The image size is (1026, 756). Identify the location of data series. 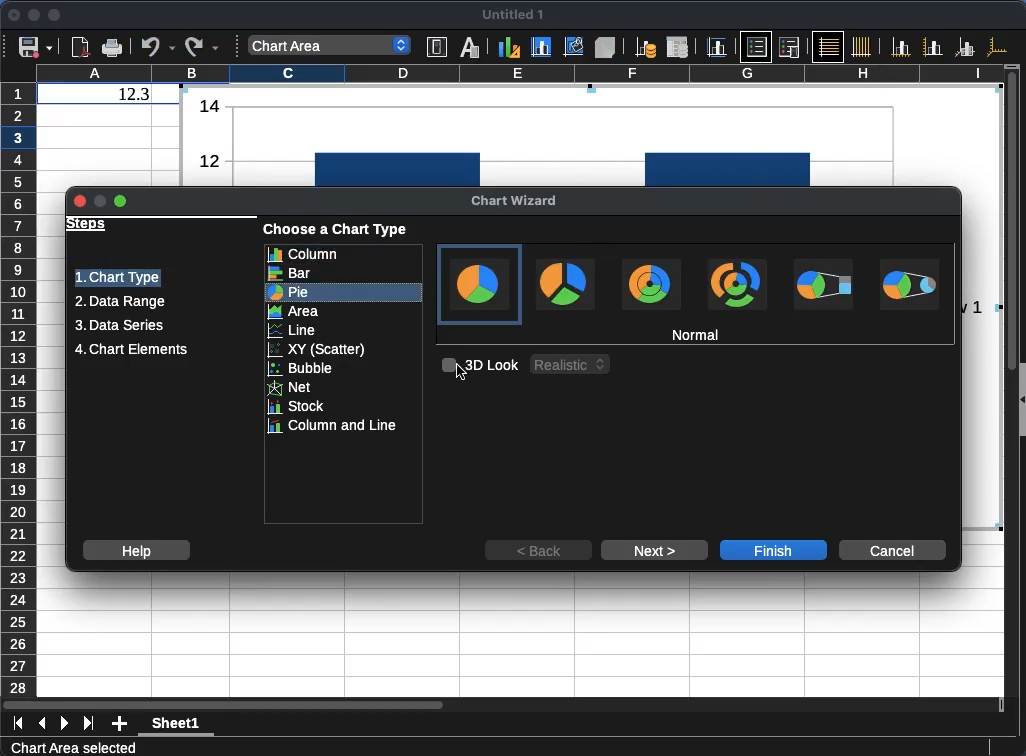
(119, 326).